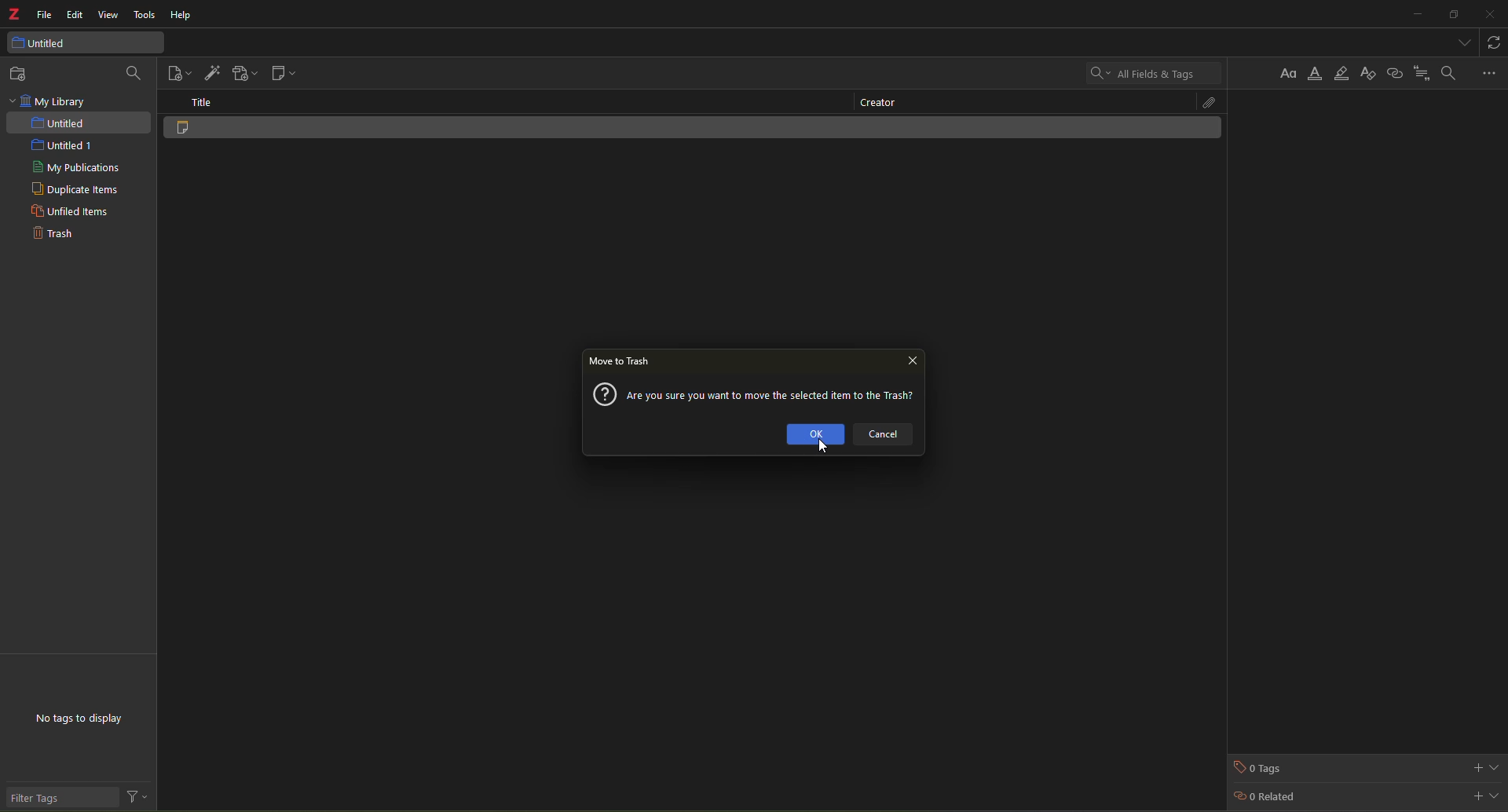  I want to click on related, so click(1266, 798).